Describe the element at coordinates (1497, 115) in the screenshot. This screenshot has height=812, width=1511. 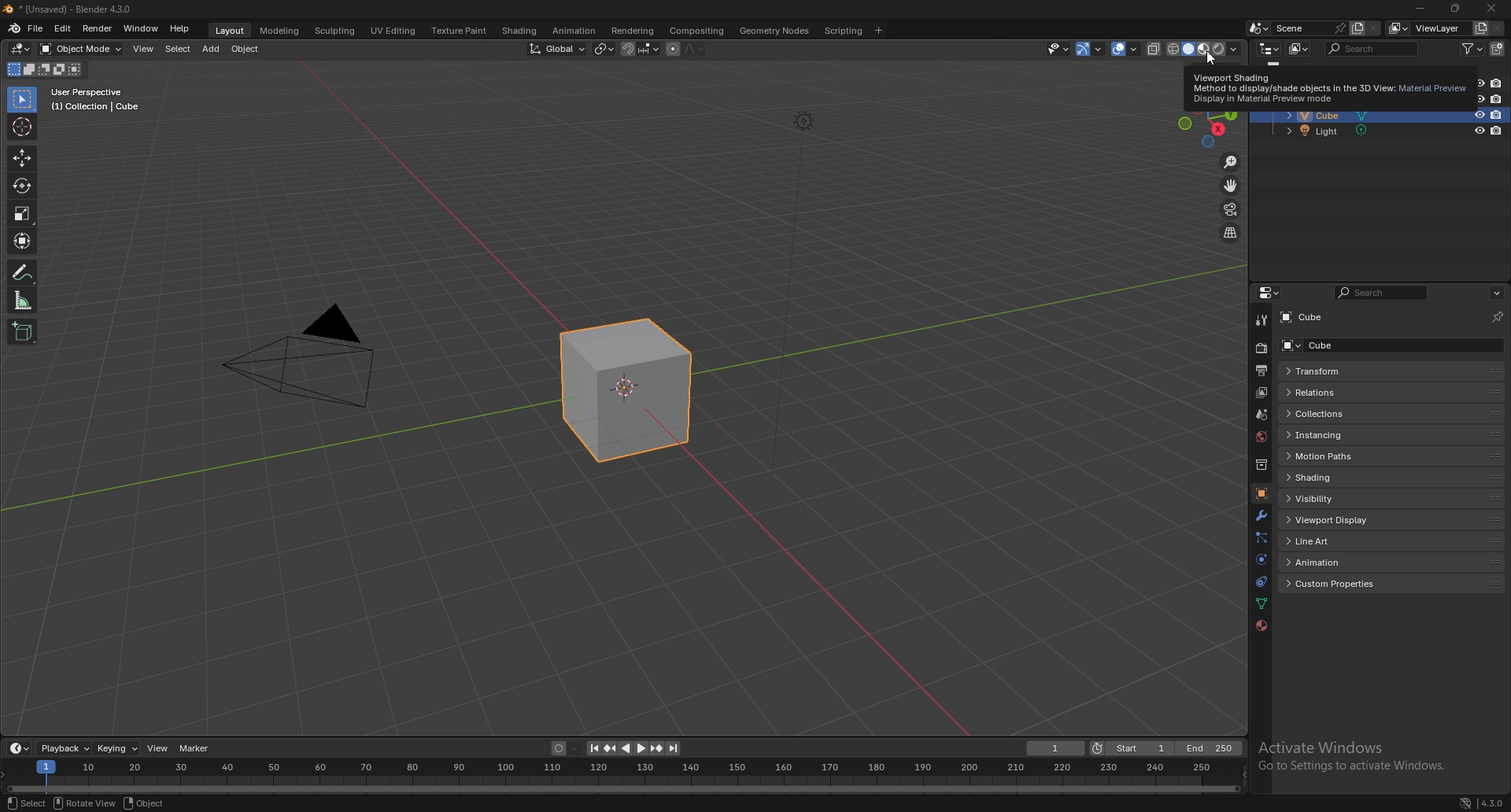
I see `disable in renders` at that location.